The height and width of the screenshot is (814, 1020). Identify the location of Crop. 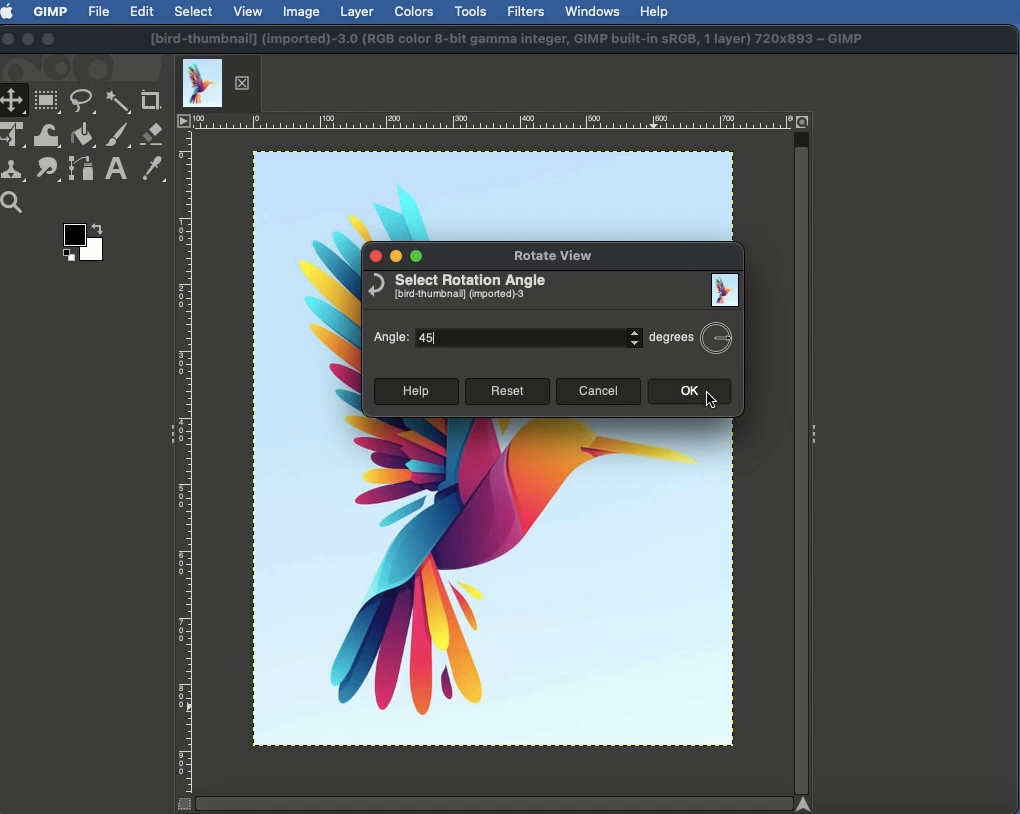
(151, 101).